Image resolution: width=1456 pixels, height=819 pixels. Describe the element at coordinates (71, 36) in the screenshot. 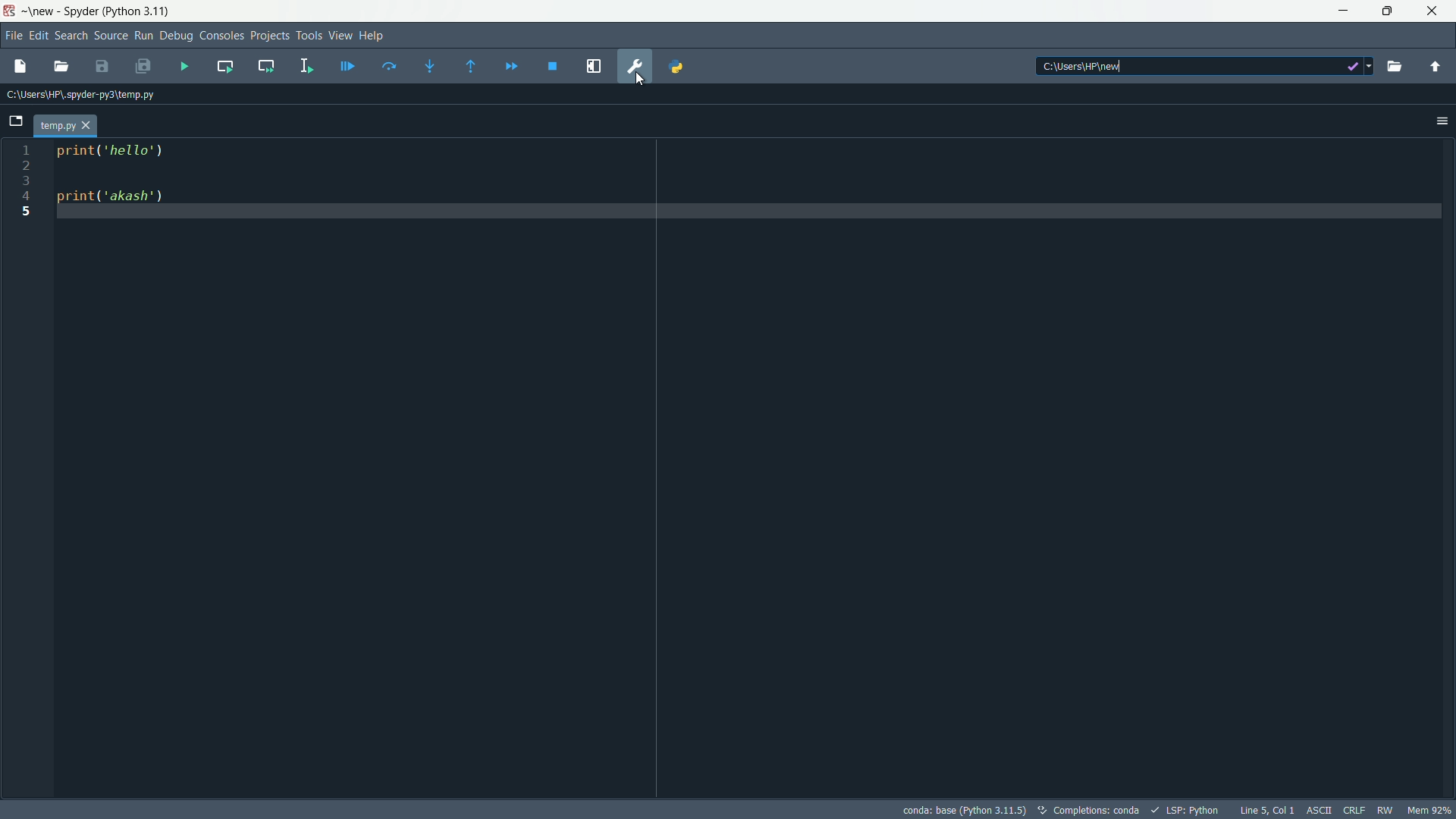

I see `search menu` at that location.